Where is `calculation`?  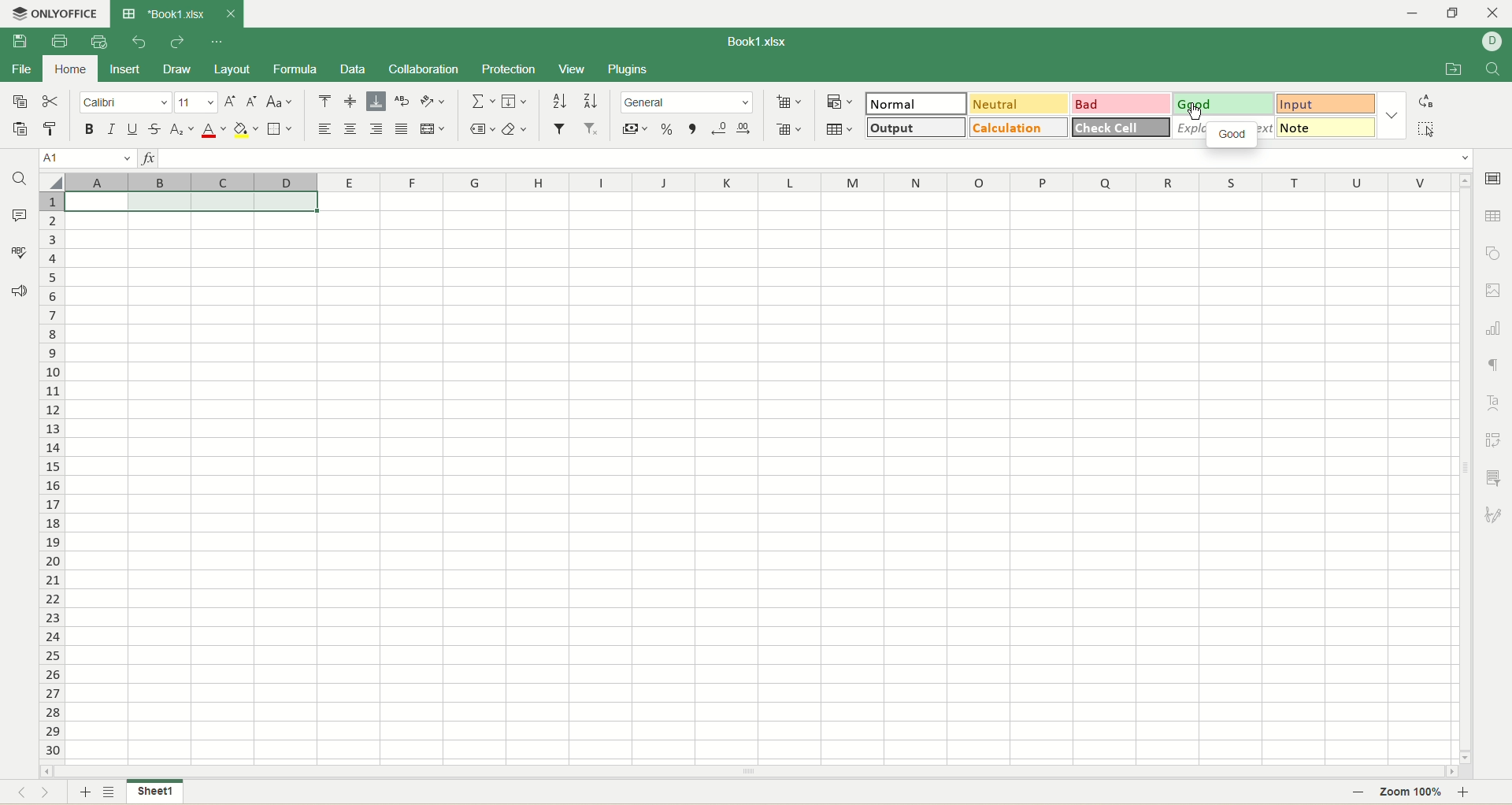
calculation is located at coordinates (1015, 128).